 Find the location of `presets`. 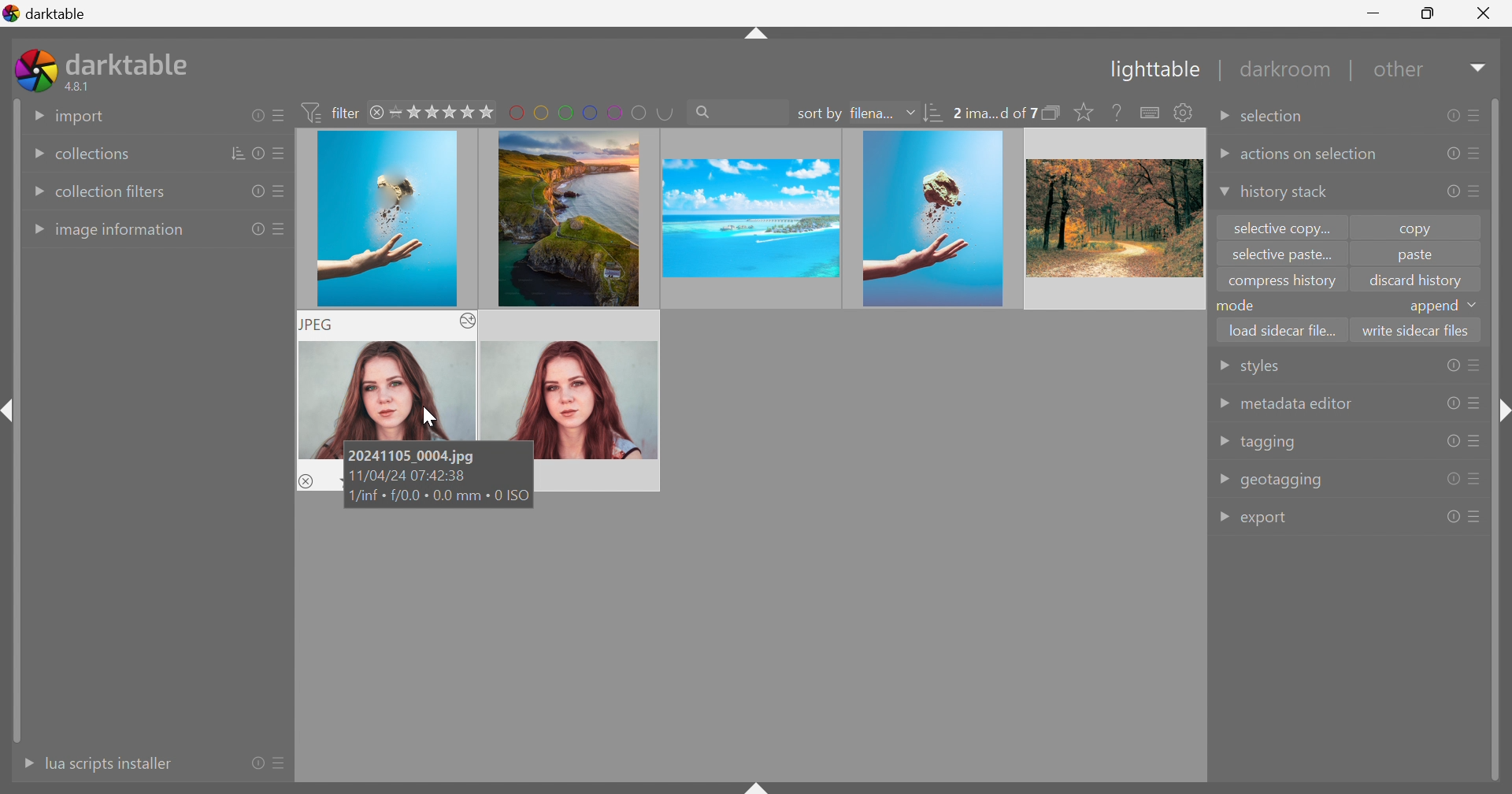

presets is located at coordinates (283, 765).